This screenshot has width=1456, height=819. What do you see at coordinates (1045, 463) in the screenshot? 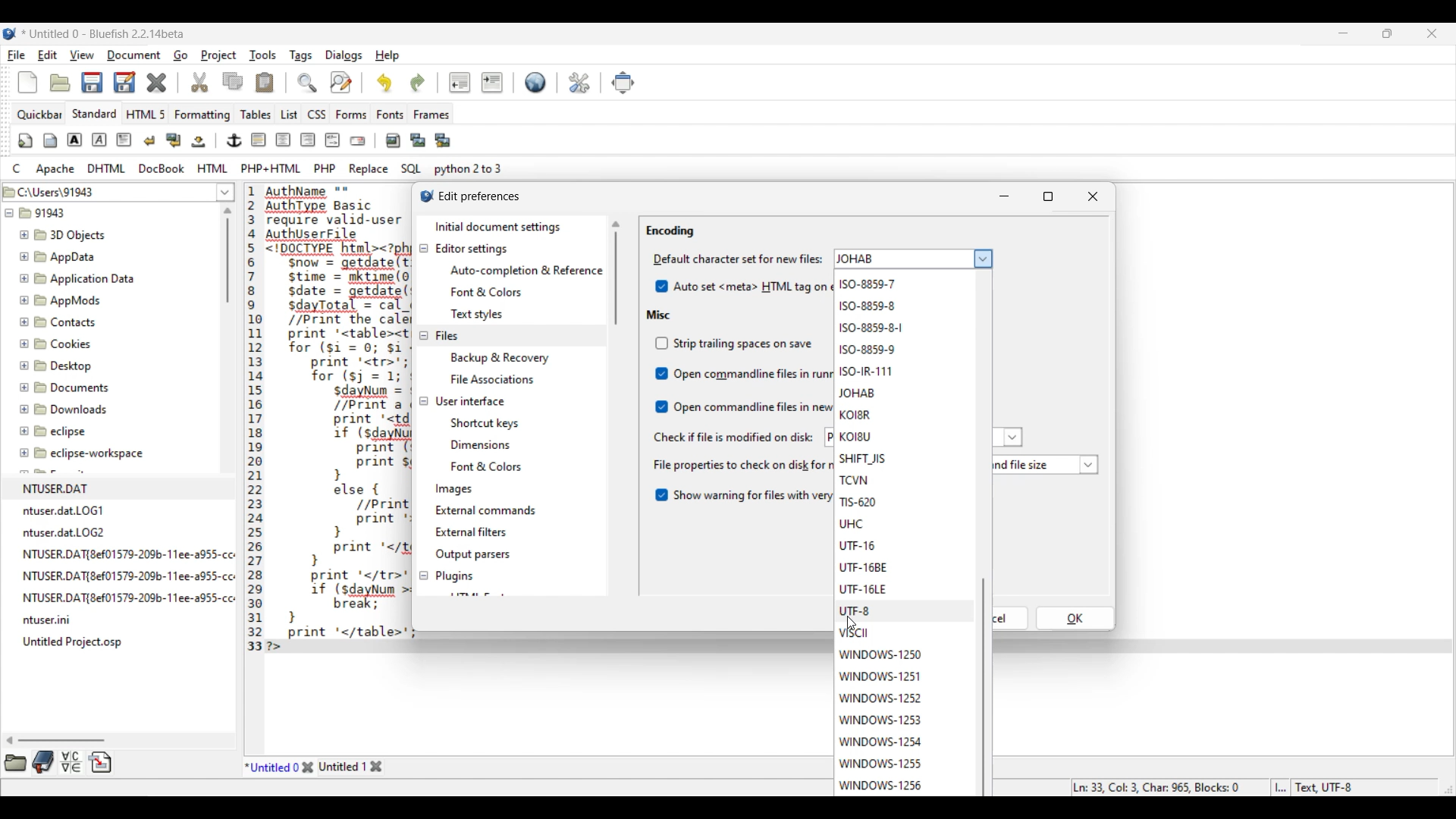
I see `List of file properties to check on disk modifications` at bounding box center [1045, 463].